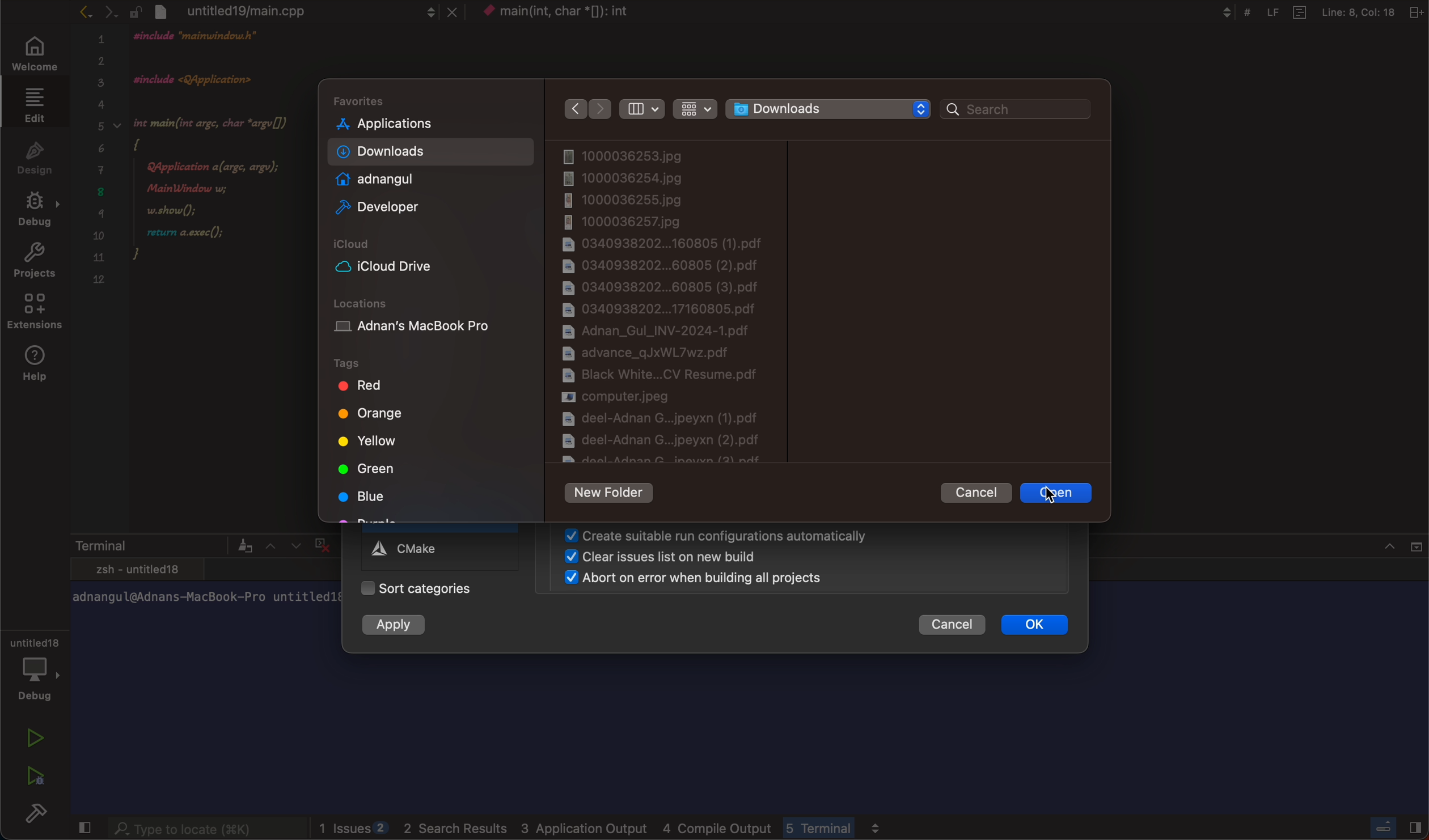  I want to click on logs, so click(605, 824).